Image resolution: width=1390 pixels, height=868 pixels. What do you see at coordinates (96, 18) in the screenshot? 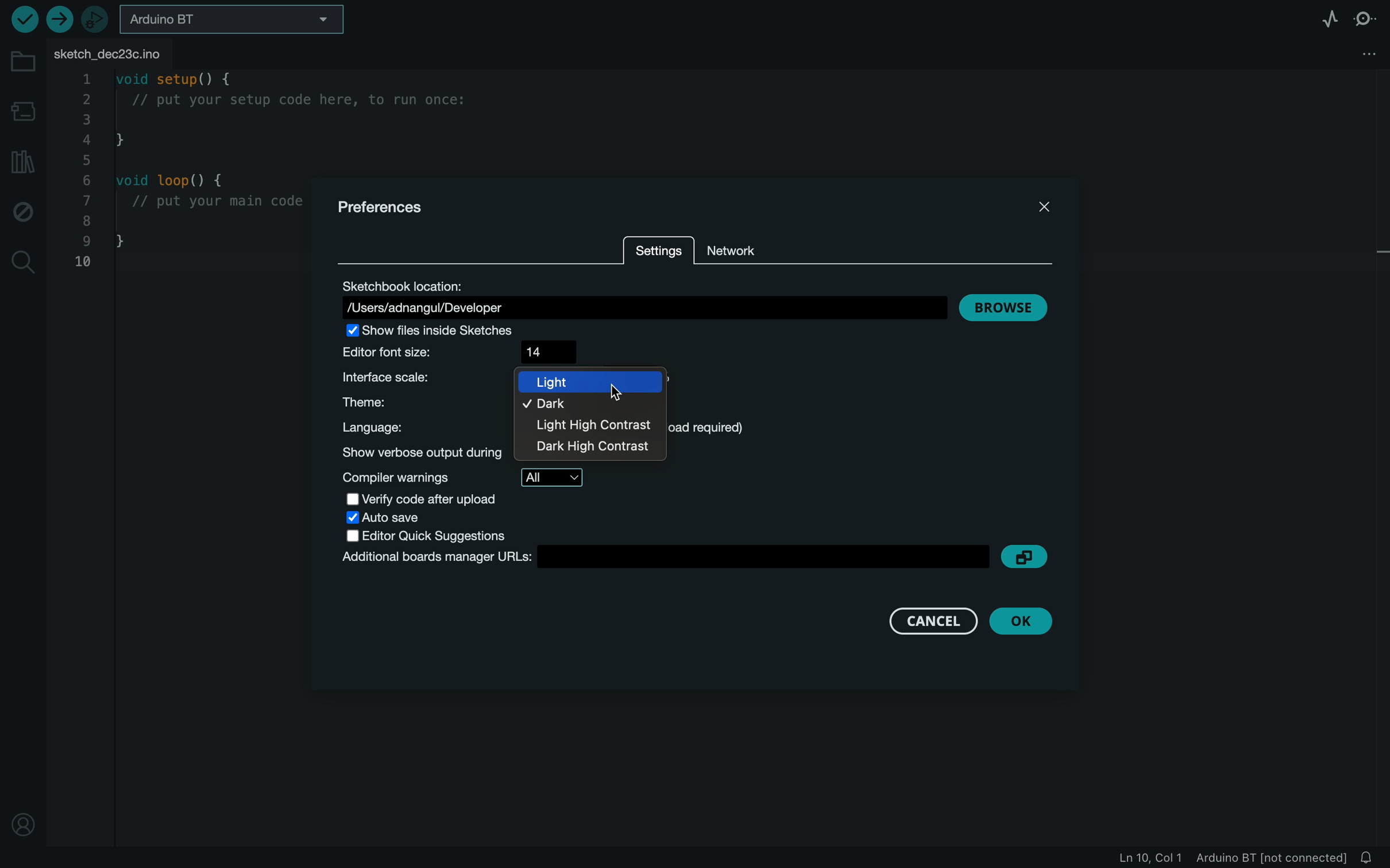
I see `debugger` at bounding box center [96, 18].